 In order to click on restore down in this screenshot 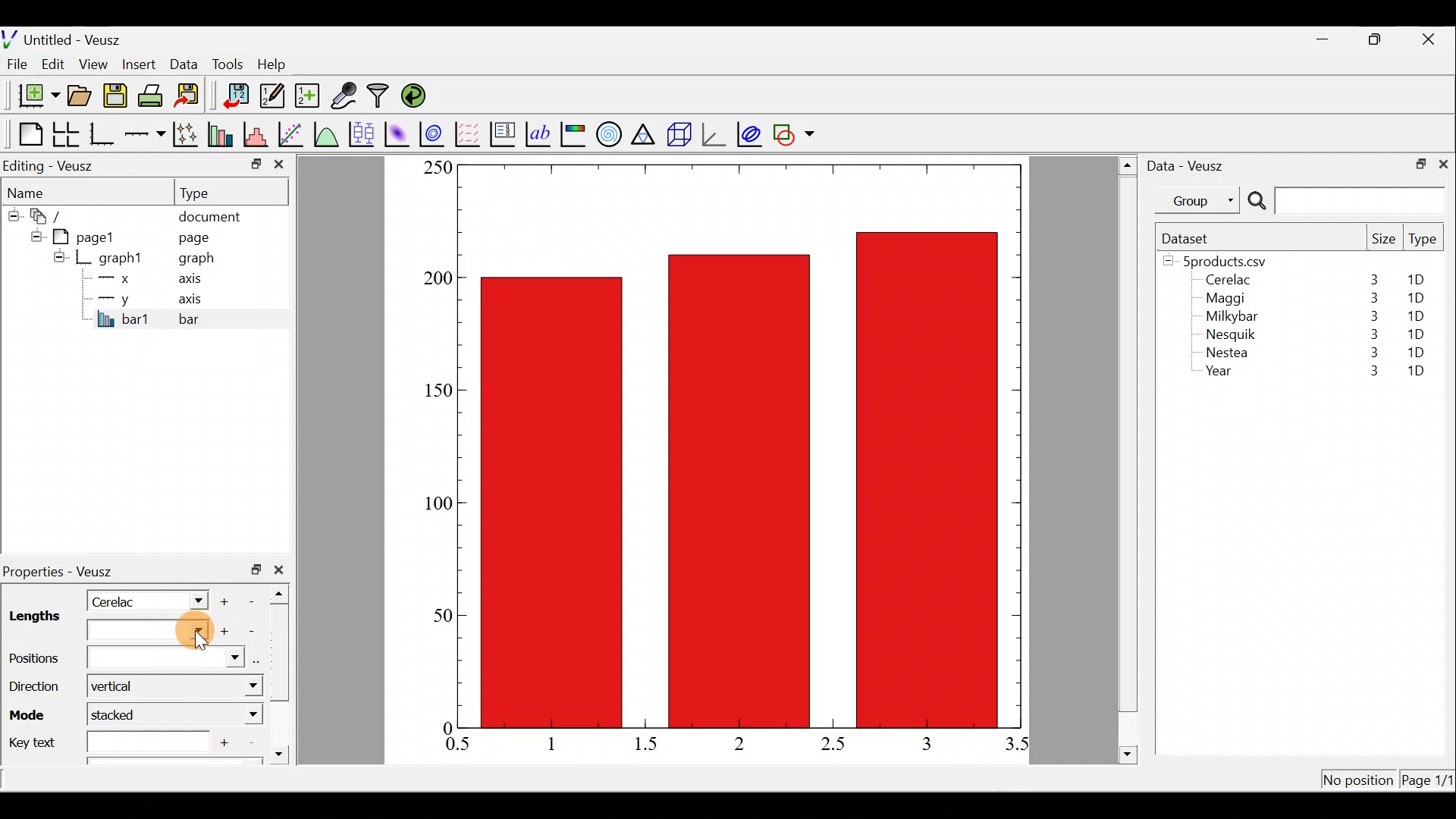, I will do `click(1416, 162)`.